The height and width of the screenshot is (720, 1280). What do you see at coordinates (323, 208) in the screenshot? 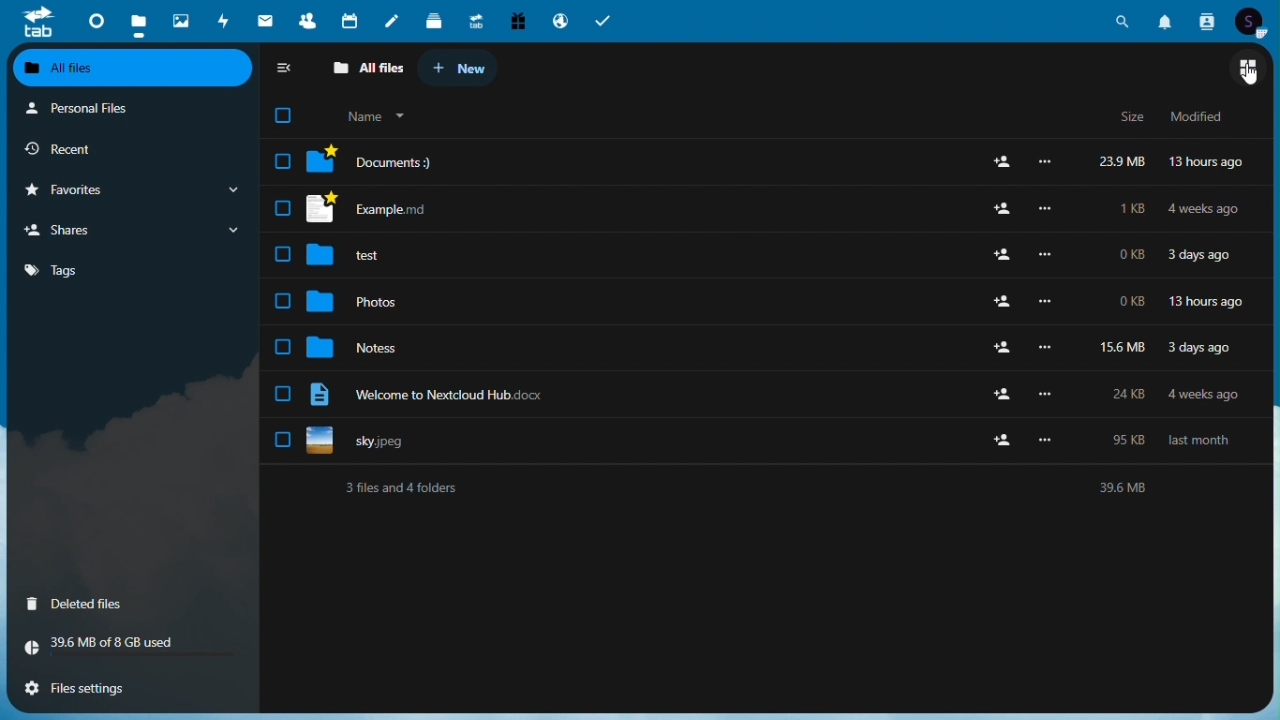
I see `file` at bounding box center [323, 208].